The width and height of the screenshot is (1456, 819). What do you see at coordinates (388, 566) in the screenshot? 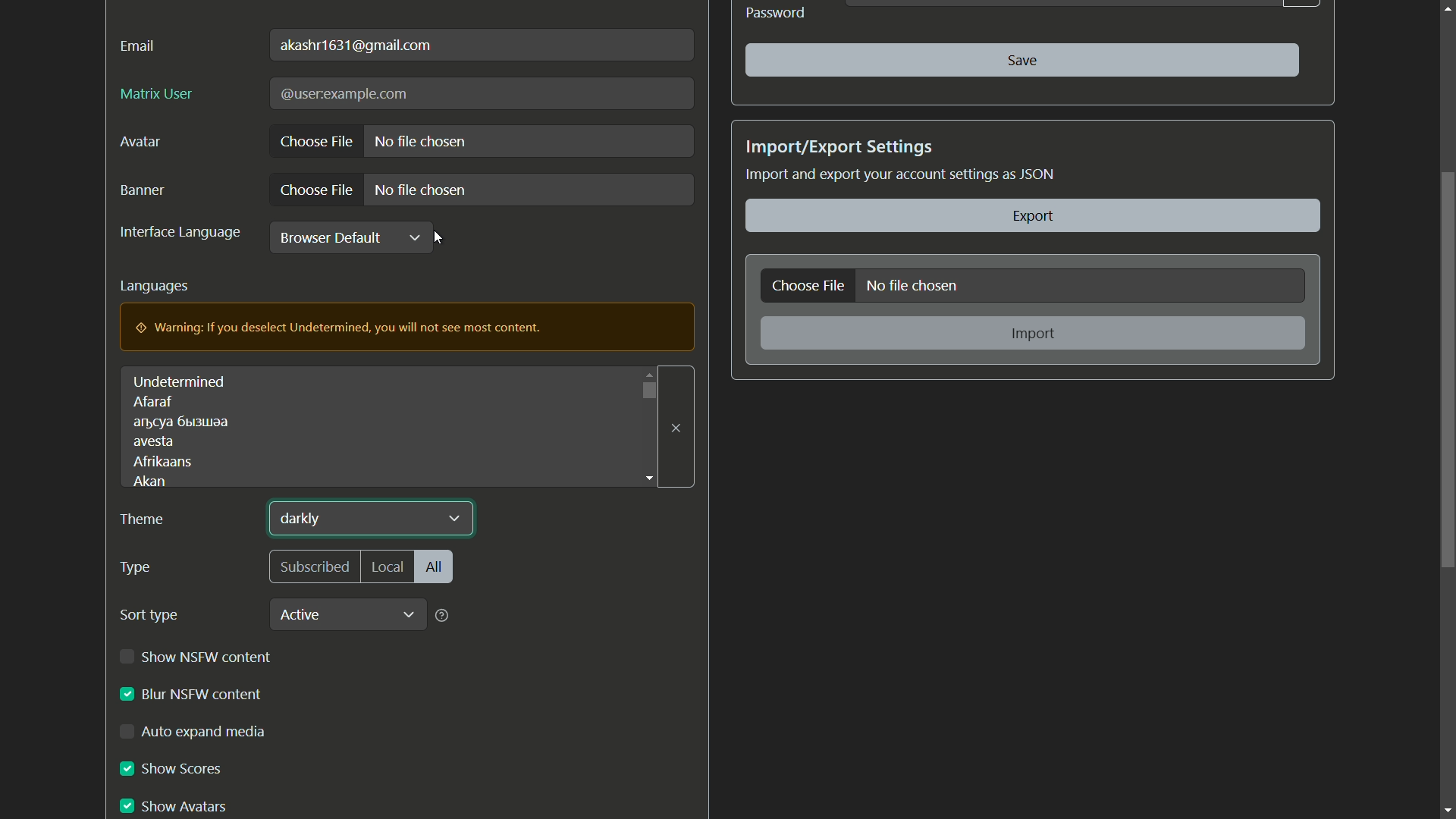
I see `local` at bounding box center [388, 566].